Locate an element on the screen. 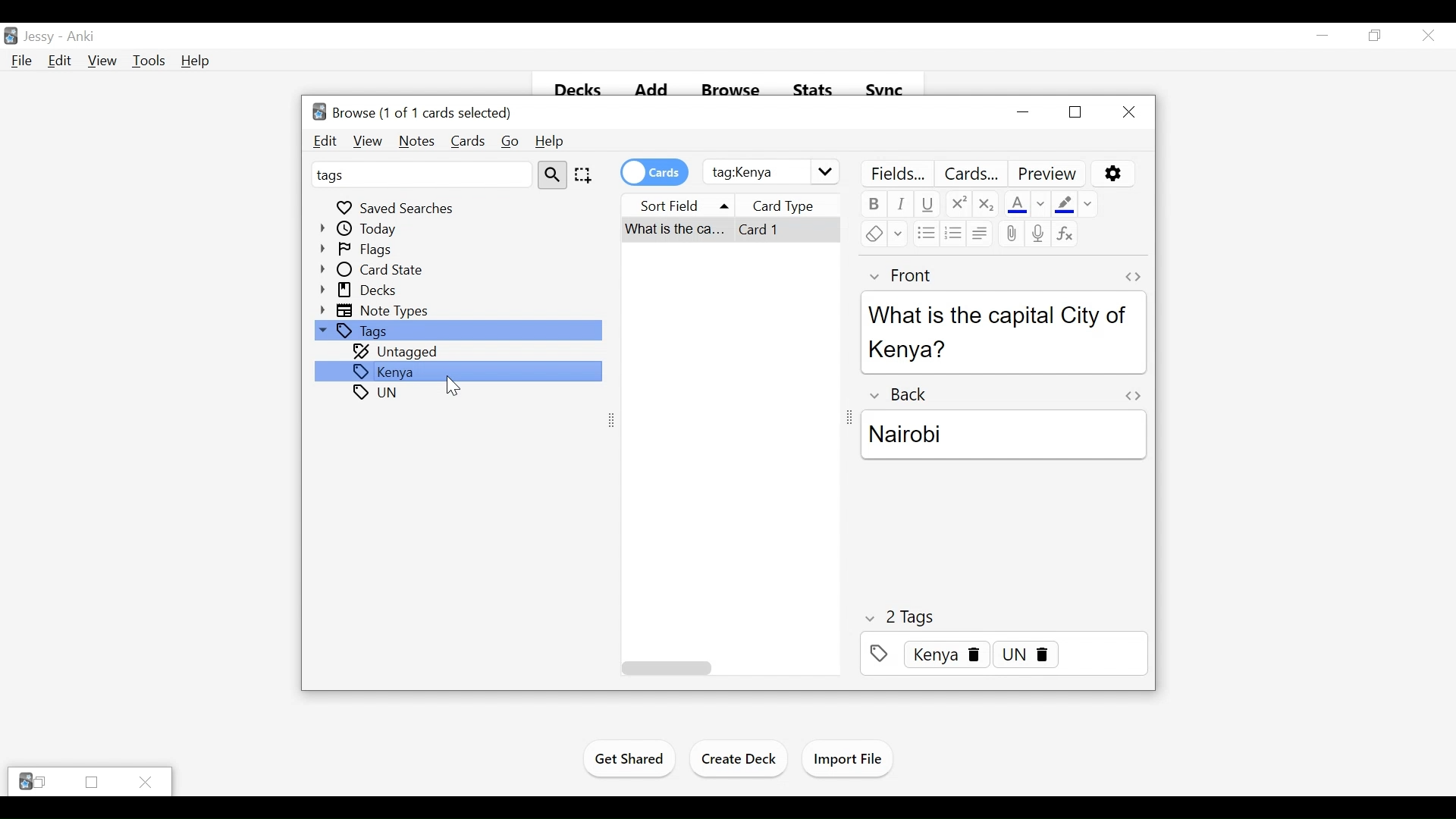 The width and height of the screenshot is (1456, 819). Anki Desktop Icon is located at coordinates (11, 36).